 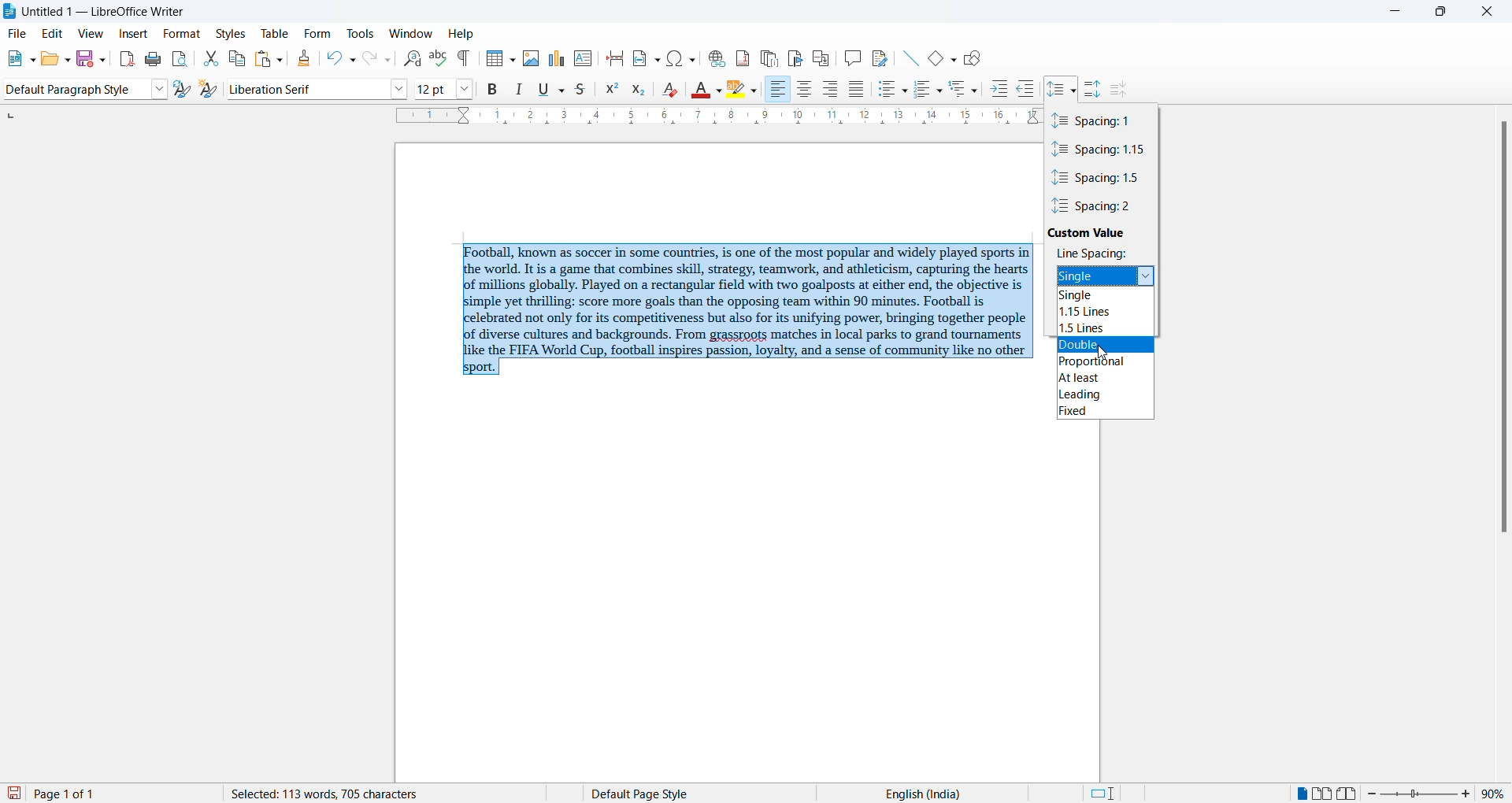 I want to click on total and current page, so click(x=126, y=792).